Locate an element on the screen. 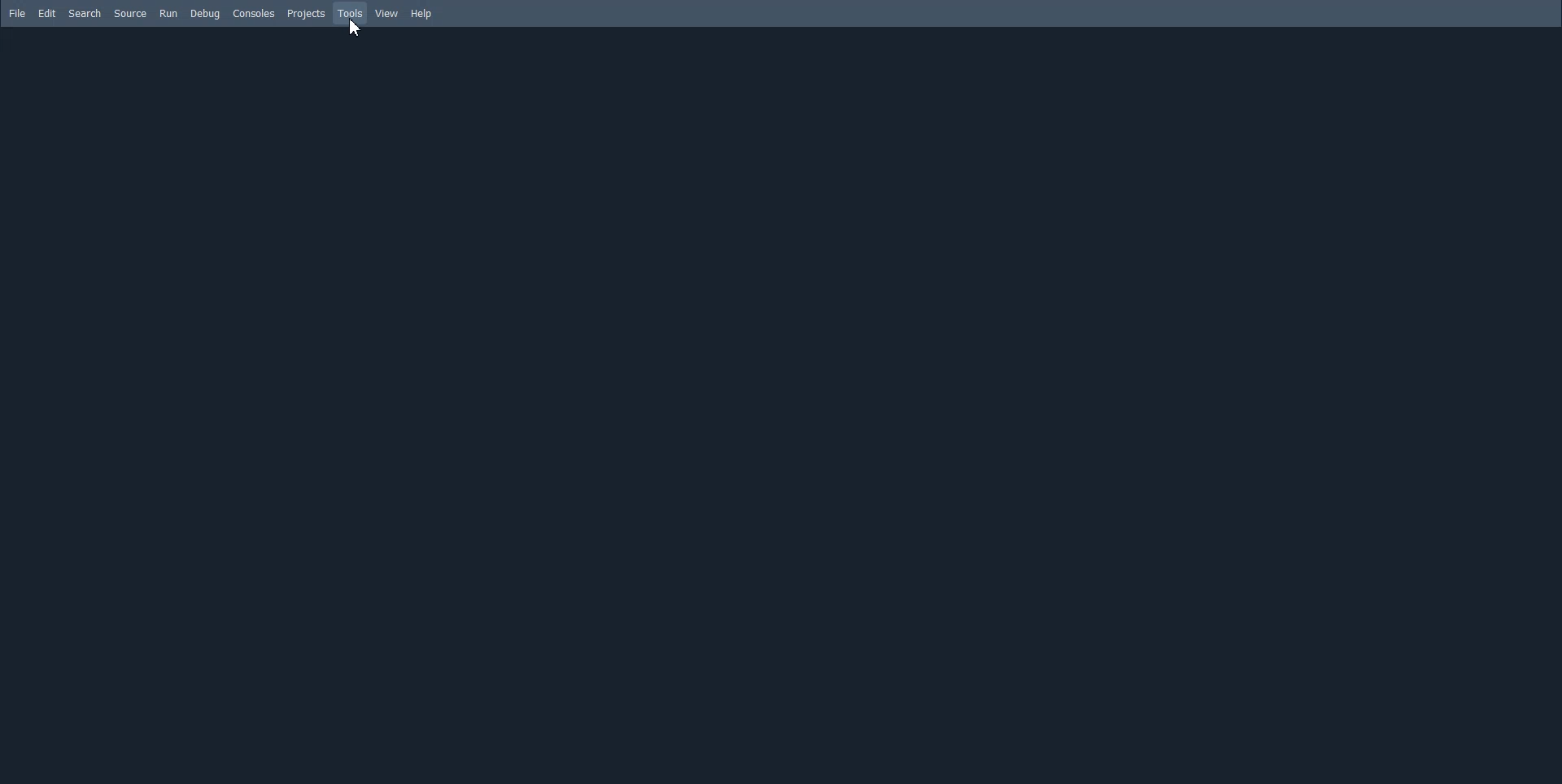  Run is located at coordinates (168, 14).